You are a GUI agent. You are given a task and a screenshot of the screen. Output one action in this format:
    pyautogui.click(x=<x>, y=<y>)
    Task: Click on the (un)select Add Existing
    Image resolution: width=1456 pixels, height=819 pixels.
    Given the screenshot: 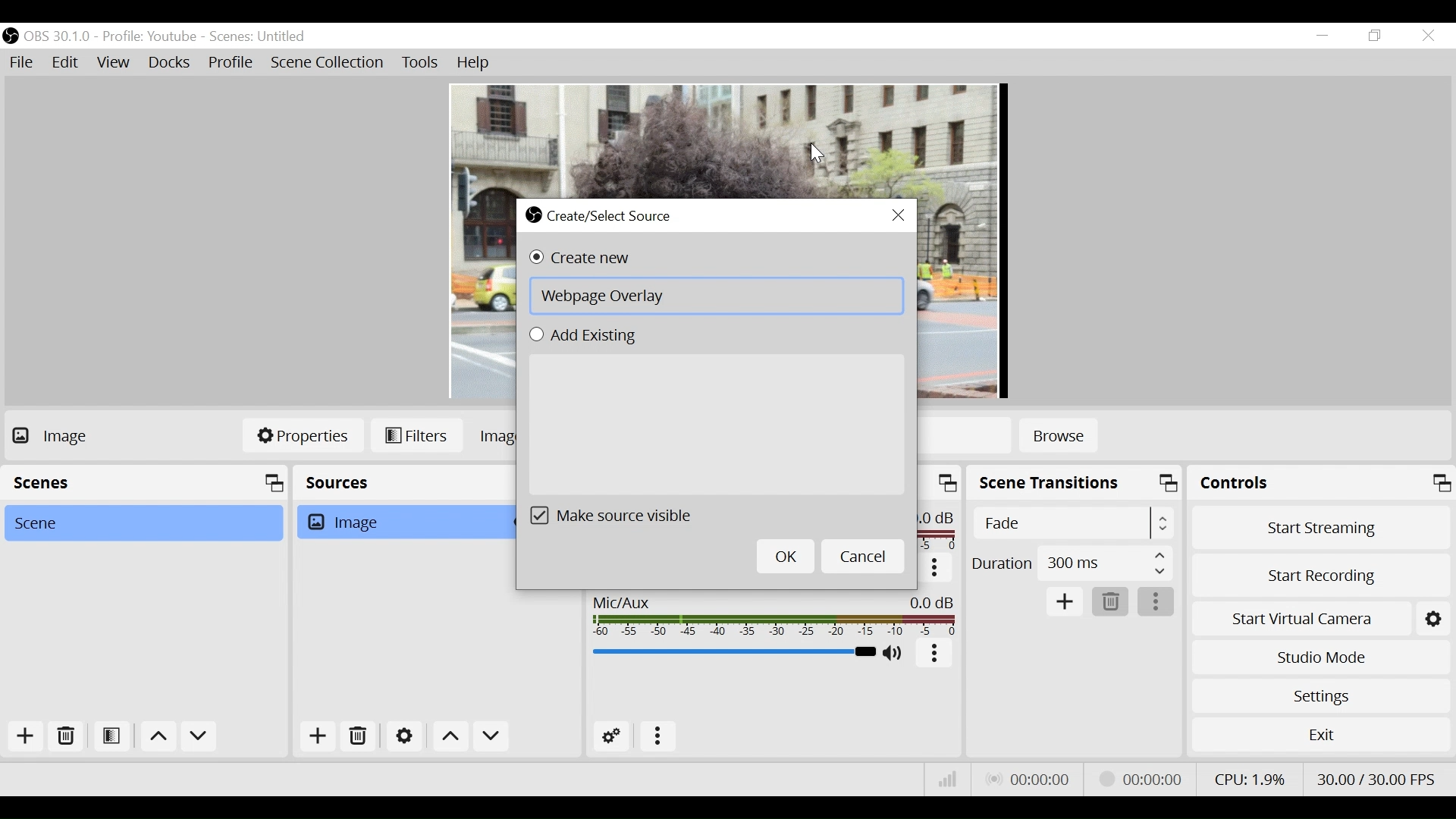 What is the action you would take?
    pyautogui.click(x=581, y=335)
    